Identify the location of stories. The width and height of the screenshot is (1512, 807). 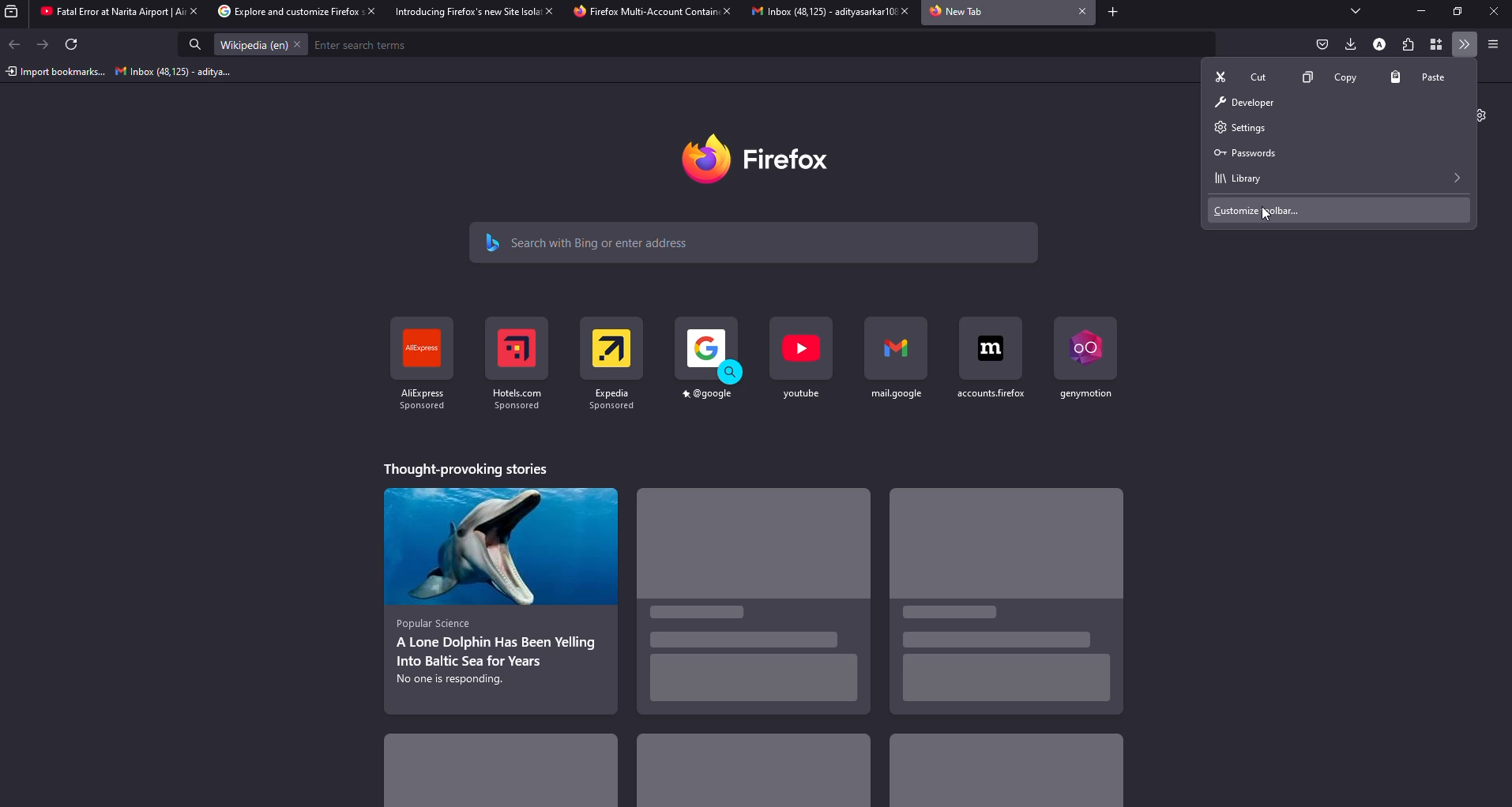
(1004, 774).